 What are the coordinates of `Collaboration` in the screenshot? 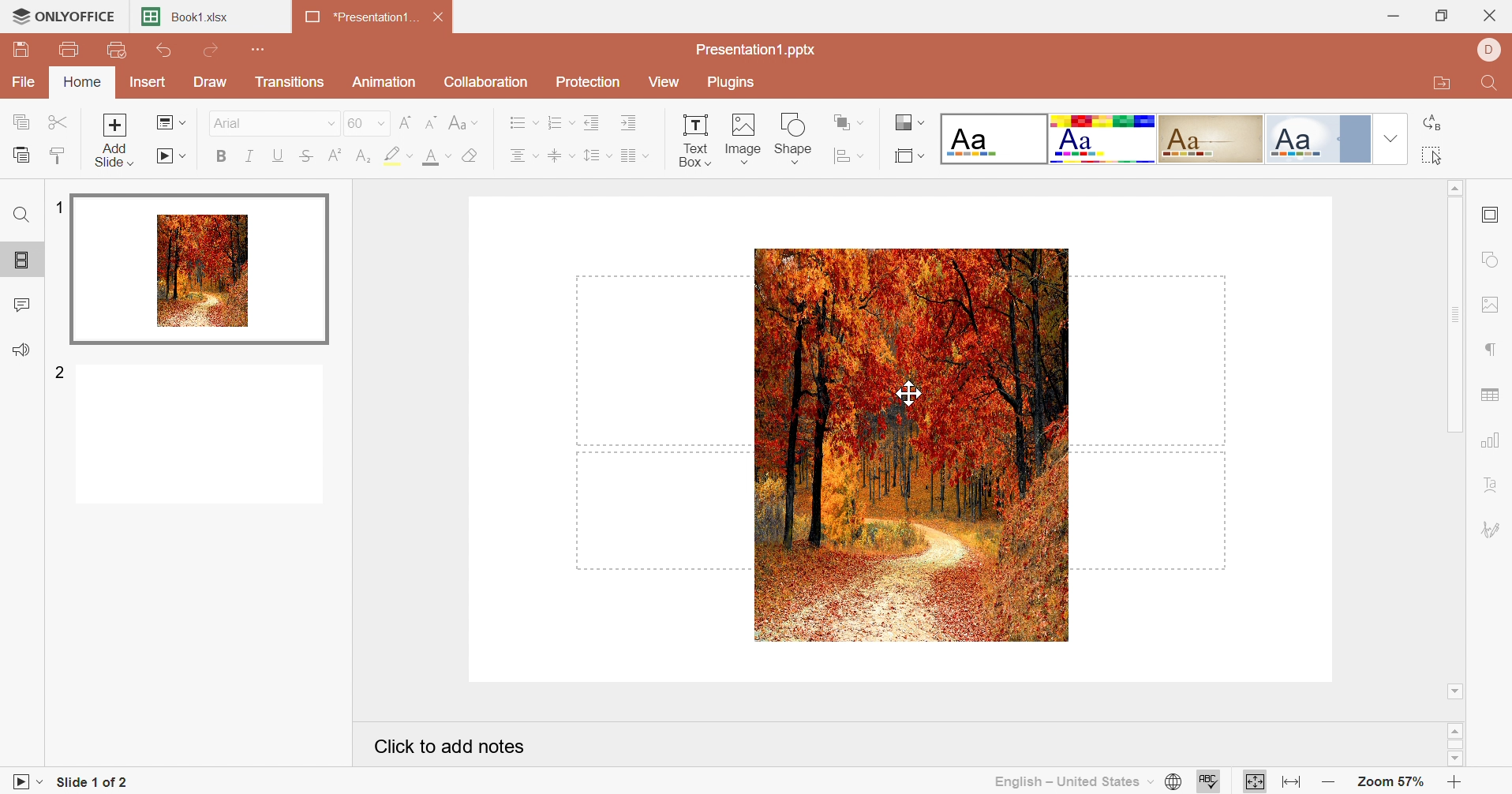 It's located at (486, 84).